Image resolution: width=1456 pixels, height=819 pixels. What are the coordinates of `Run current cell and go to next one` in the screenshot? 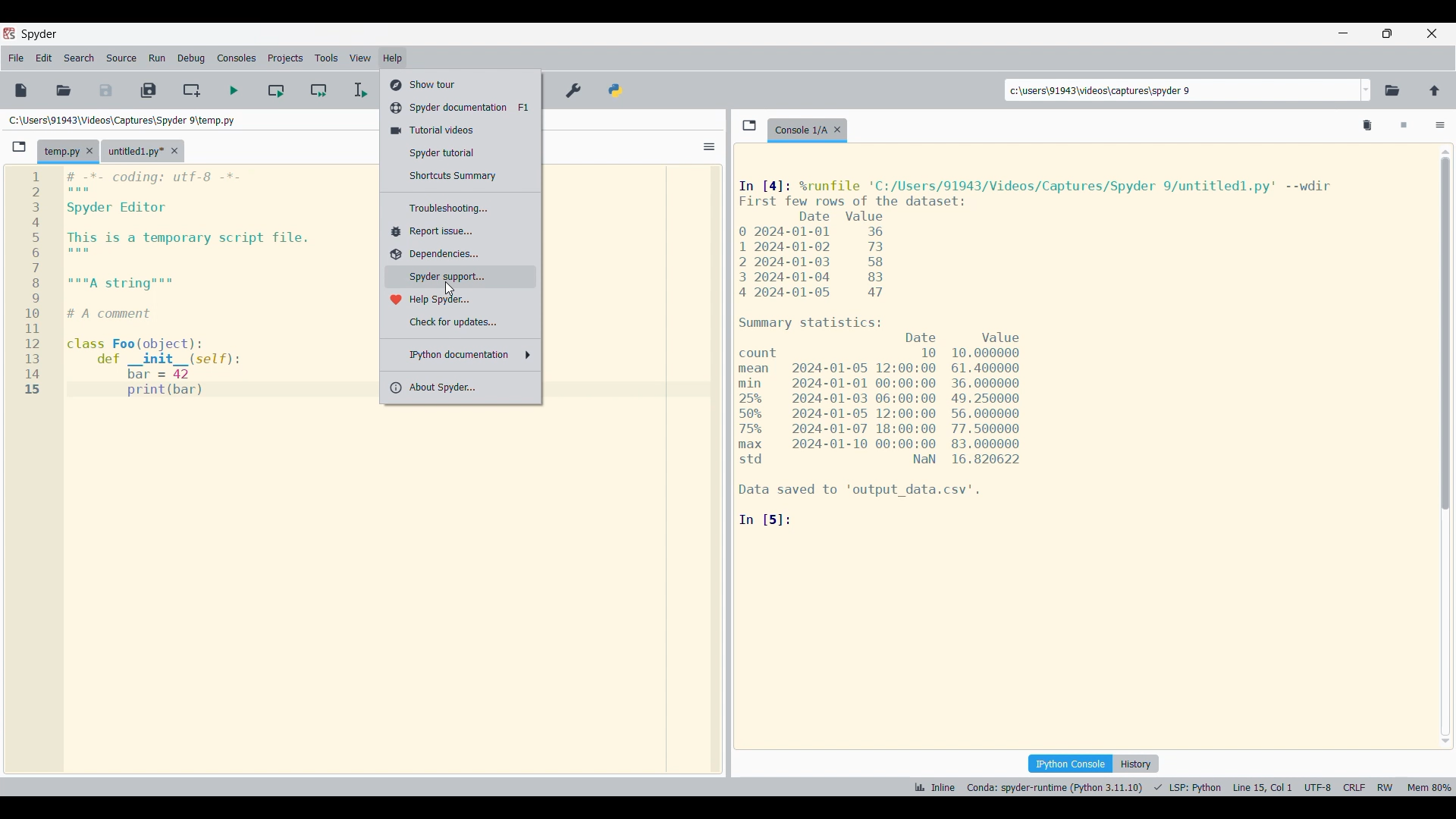 It's located at (318, 91).